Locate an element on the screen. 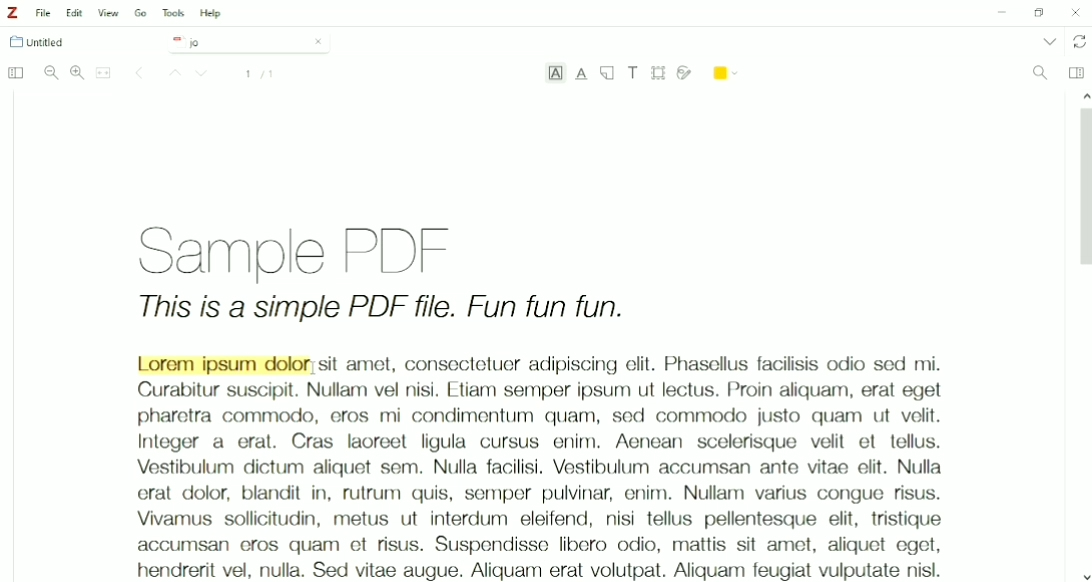 Image resolution: width=1092 pixels, height=582 pixels. Change Page is located at coordinates (139, 74).